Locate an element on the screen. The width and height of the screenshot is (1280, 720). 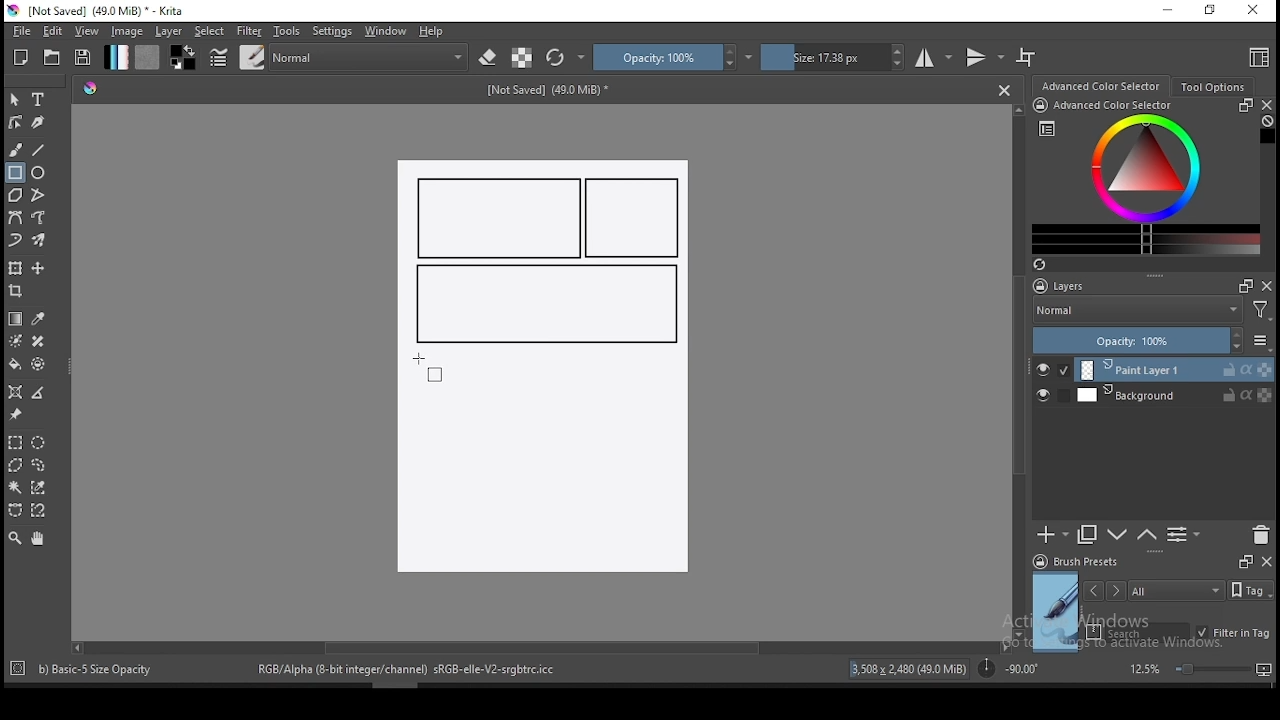
dynamic brush tool is located at coordinates (15, 241).